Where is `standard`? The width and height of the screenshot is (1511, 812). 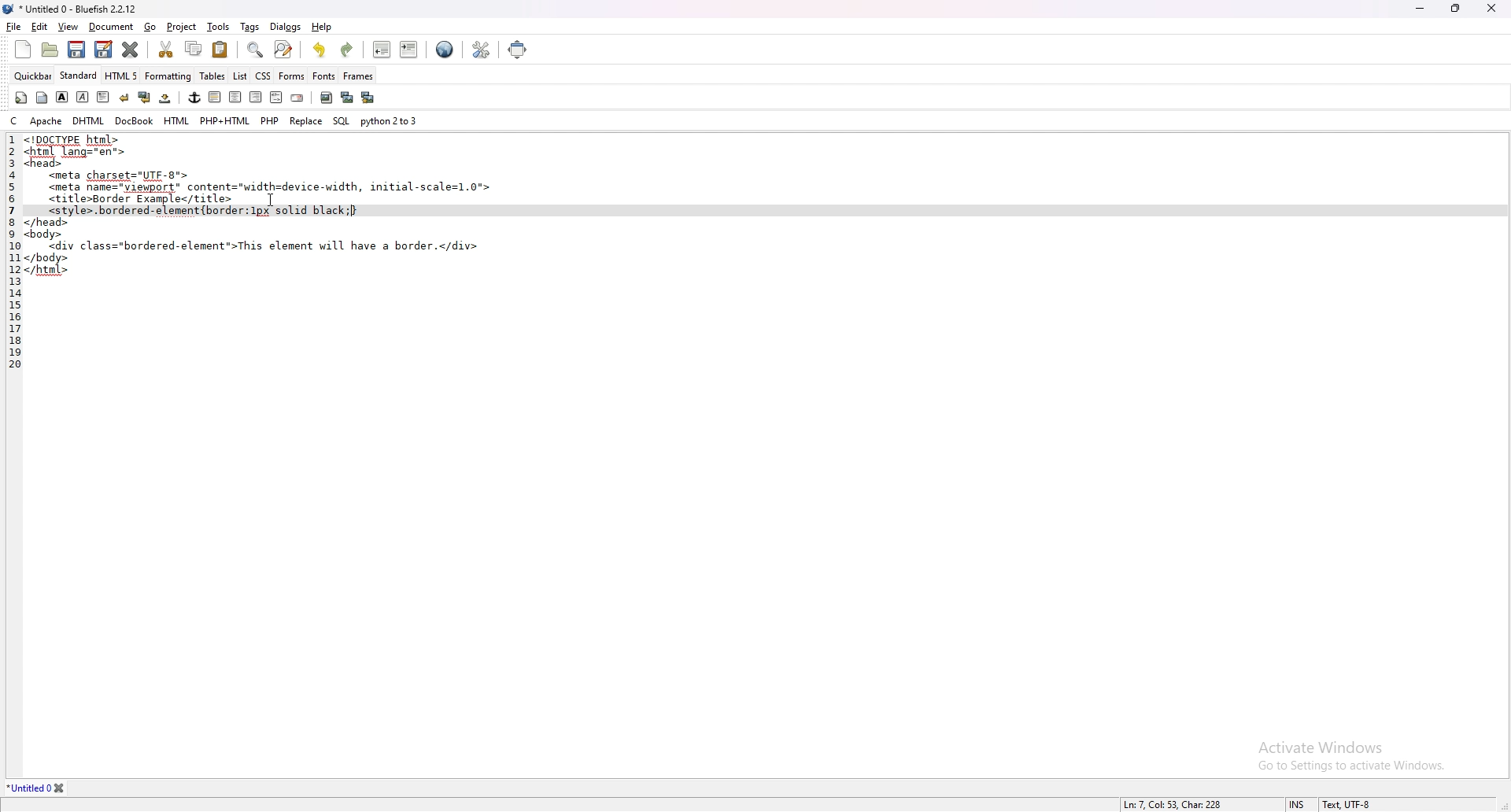 standard is located at coordinates (79, 75).